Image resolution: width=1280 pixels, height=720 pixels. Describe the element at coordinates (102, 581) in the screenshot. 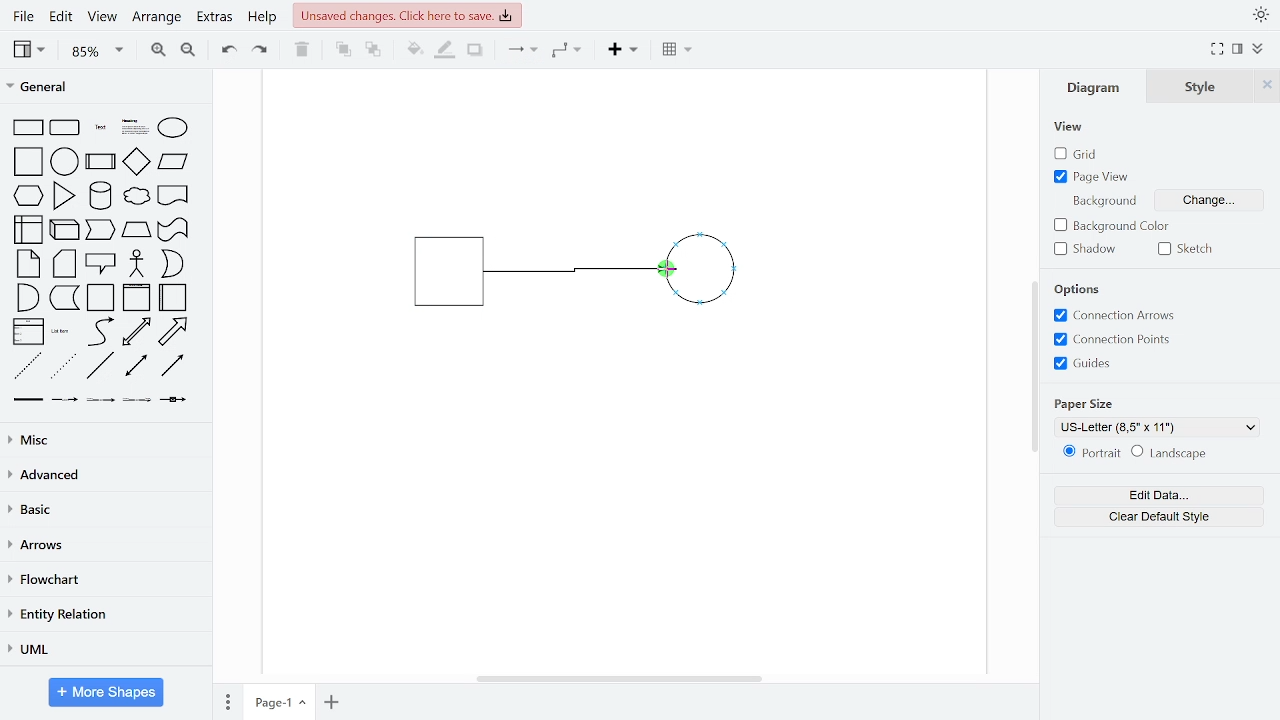

I see `flowchart` at that location.